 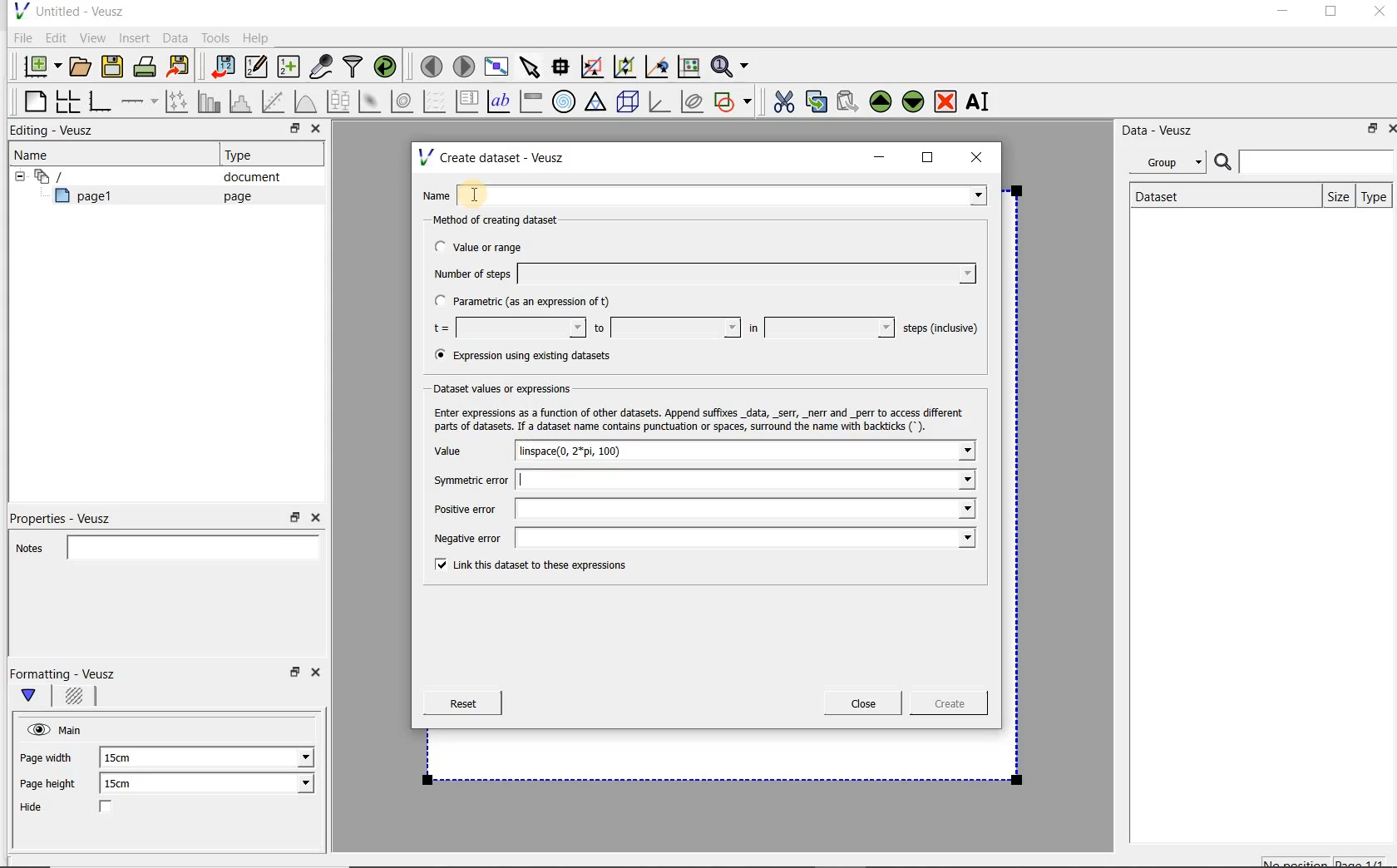 I want to click on linspace(0, 2*pi, 100), so click(x=589, y=451).